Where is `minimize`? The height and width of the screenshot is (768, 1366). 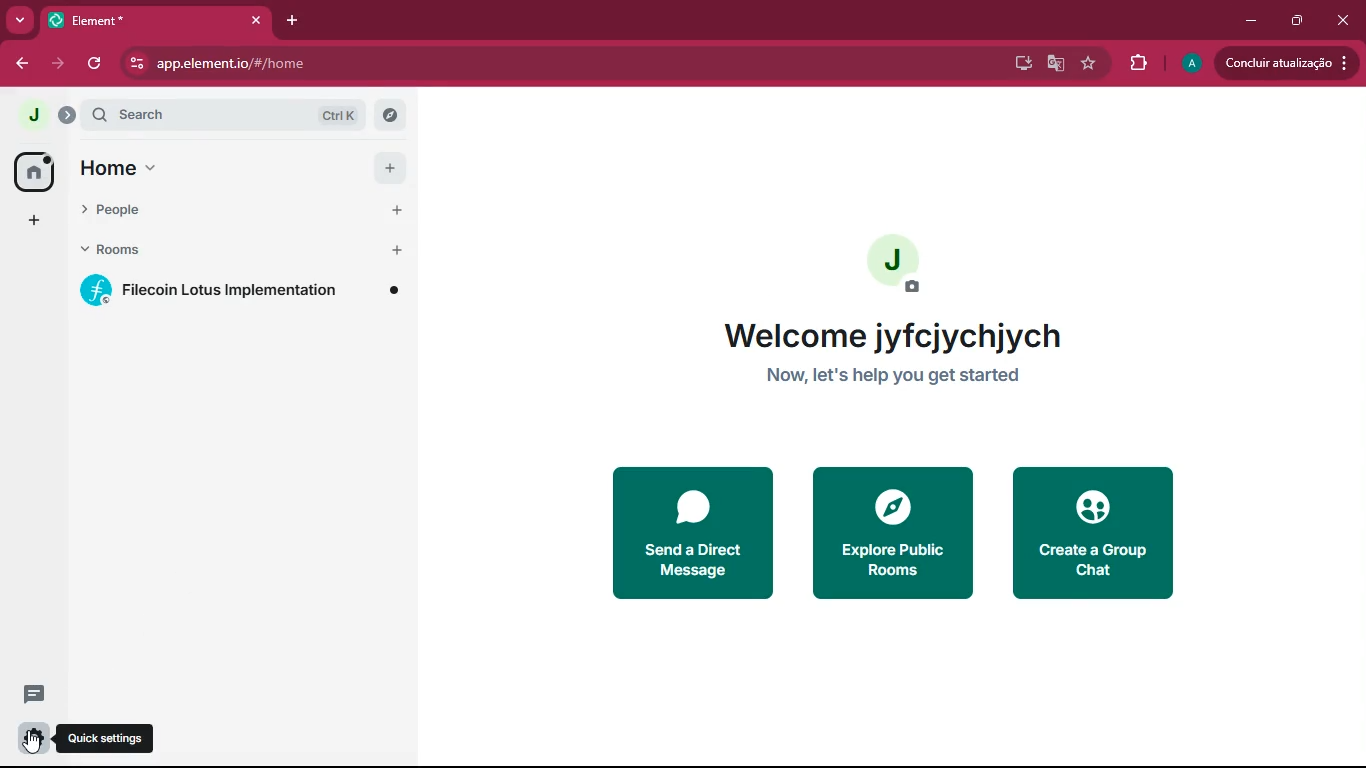 minimize is located at coordinates (1248, 22).